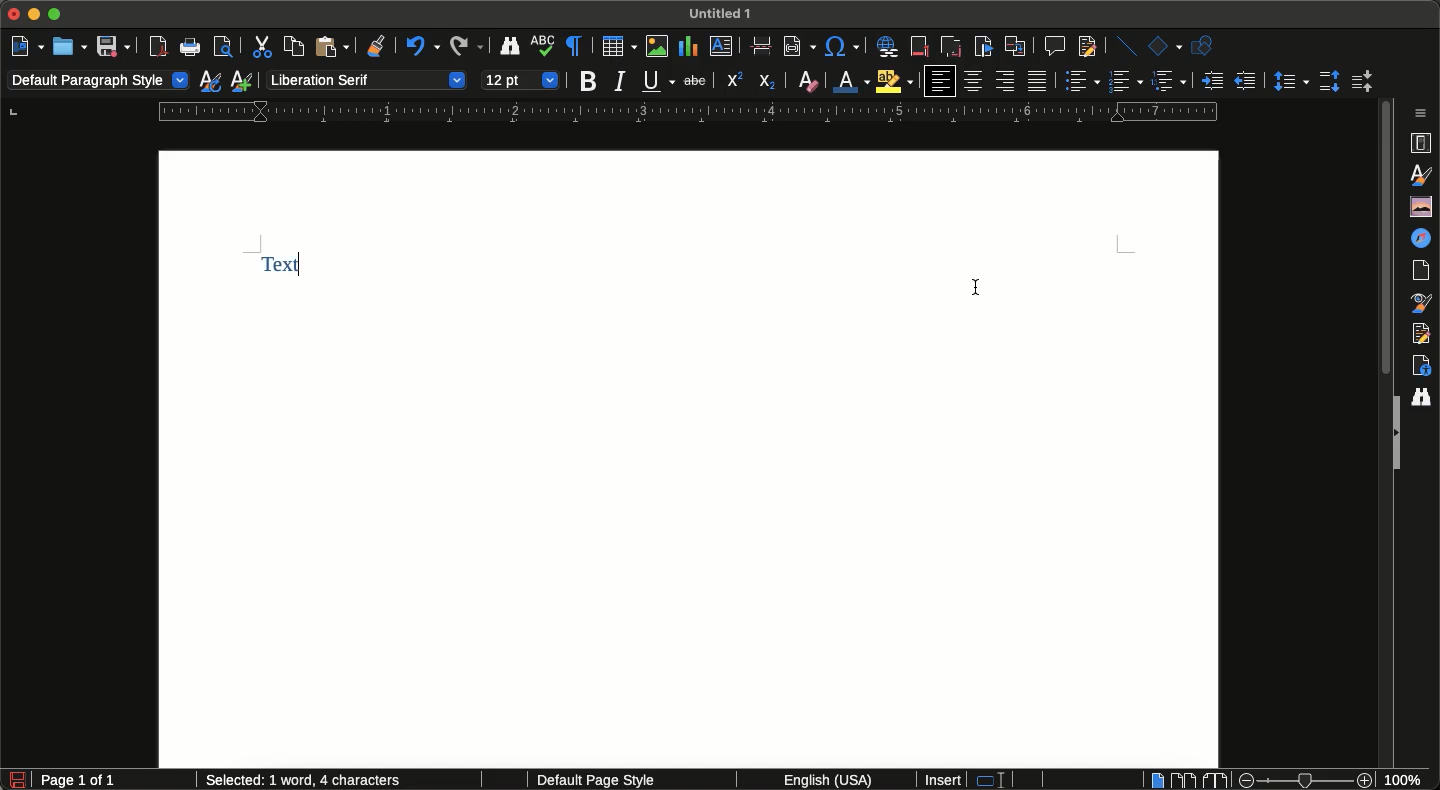 This screenshot has height=790, width=1440. Describe the element at coordinates (1212, 80) in the screenshot. I see `Increase` at that location.